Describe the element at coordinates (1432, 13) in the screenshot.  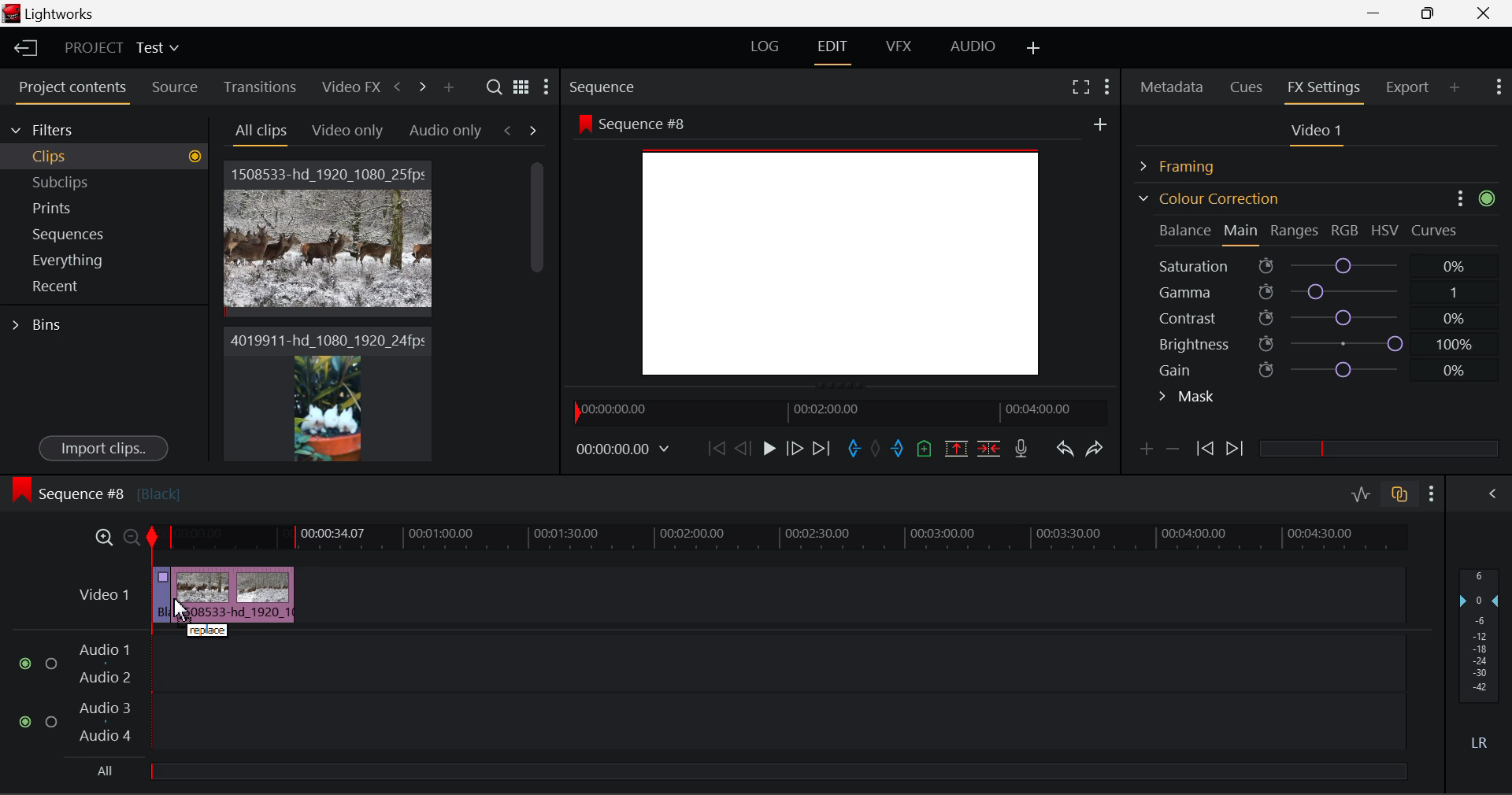
I see `Minimize` at that location.